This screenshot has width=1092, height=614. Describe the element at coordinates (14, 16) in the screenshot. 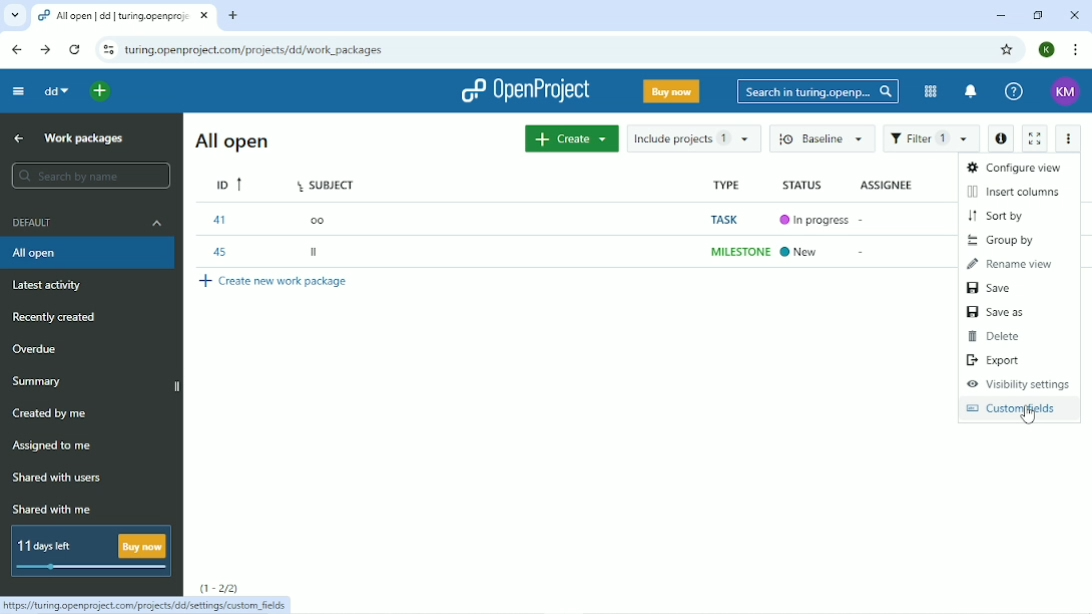

I see `Search tabs` at that location.